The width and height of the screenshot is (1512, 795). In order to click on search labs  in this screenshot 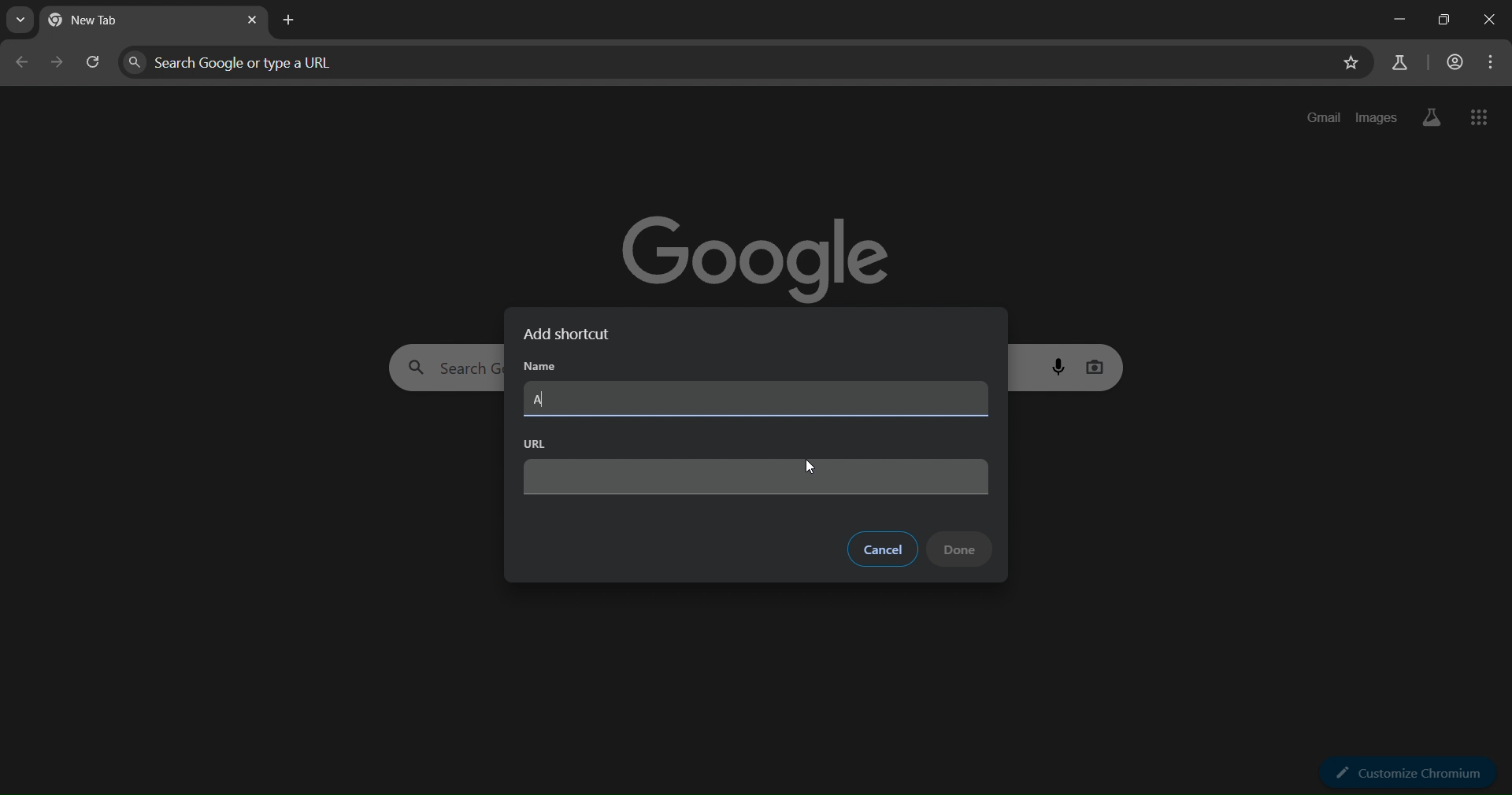, I will do `click(1428, 117)`.